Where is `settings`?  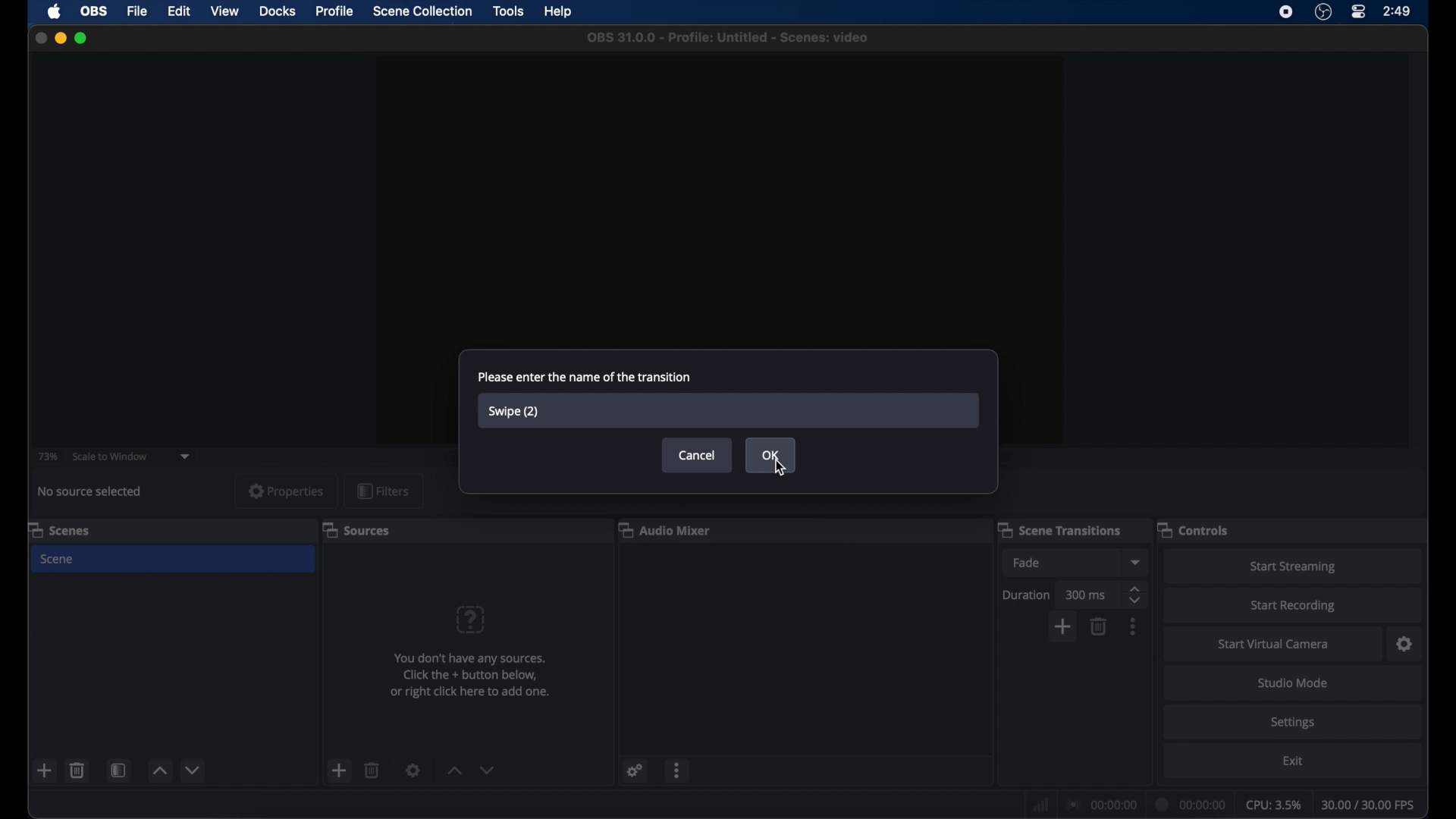
settings is located at coordinates (1294, 723).